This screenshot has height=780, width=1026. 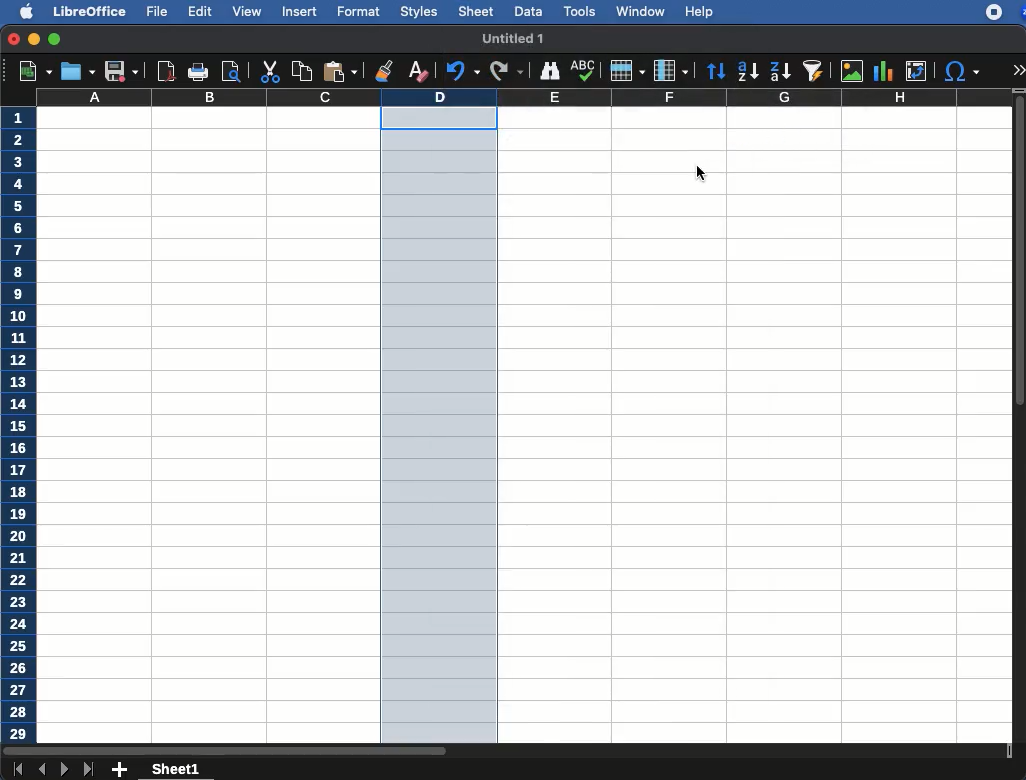 I want to click on image, so click(x=852, y=71).